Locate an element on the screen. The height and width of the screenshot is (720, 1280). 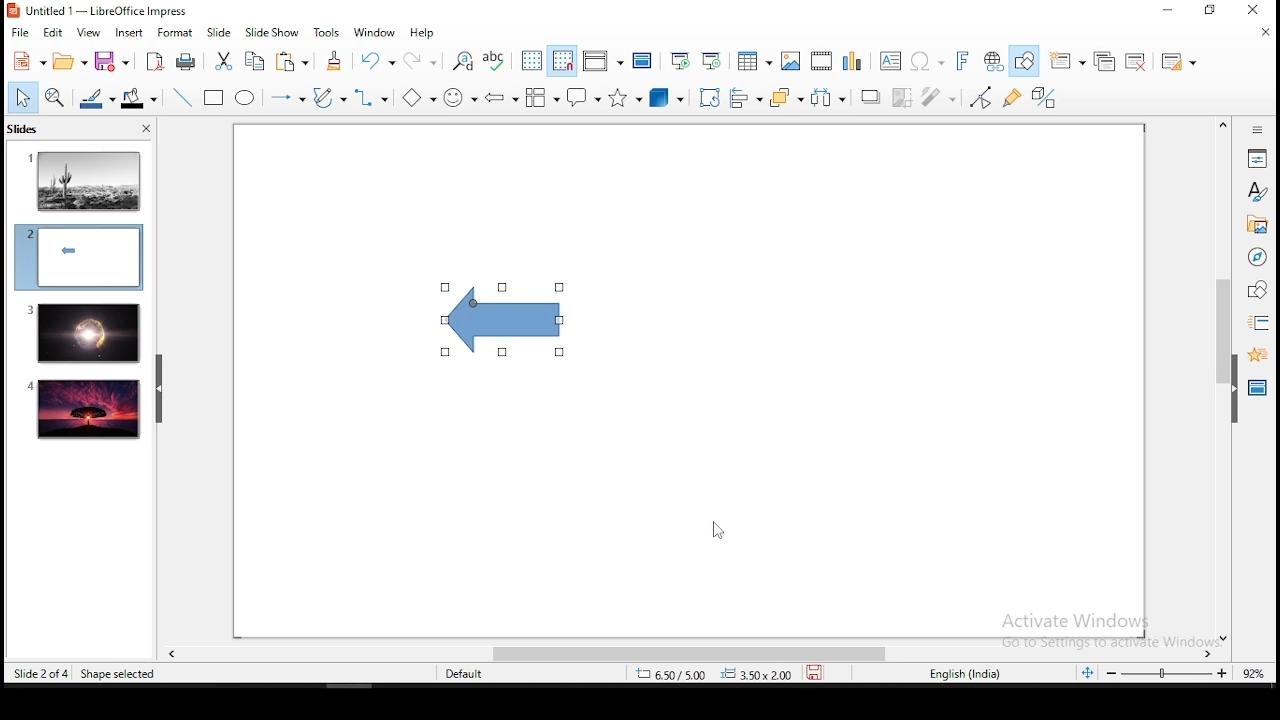
export as pdf is located at coordinates (154, 60).